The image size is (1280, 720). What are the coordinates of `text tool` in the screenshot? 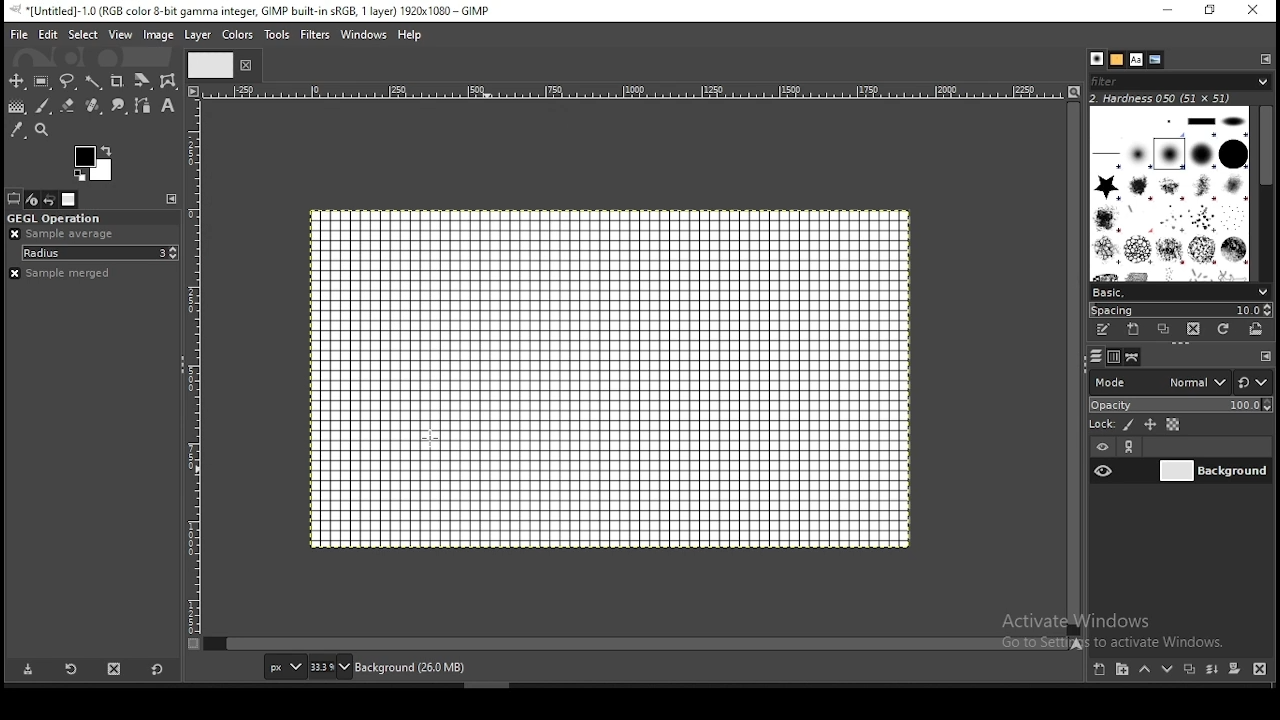 It's located at (168, 106).